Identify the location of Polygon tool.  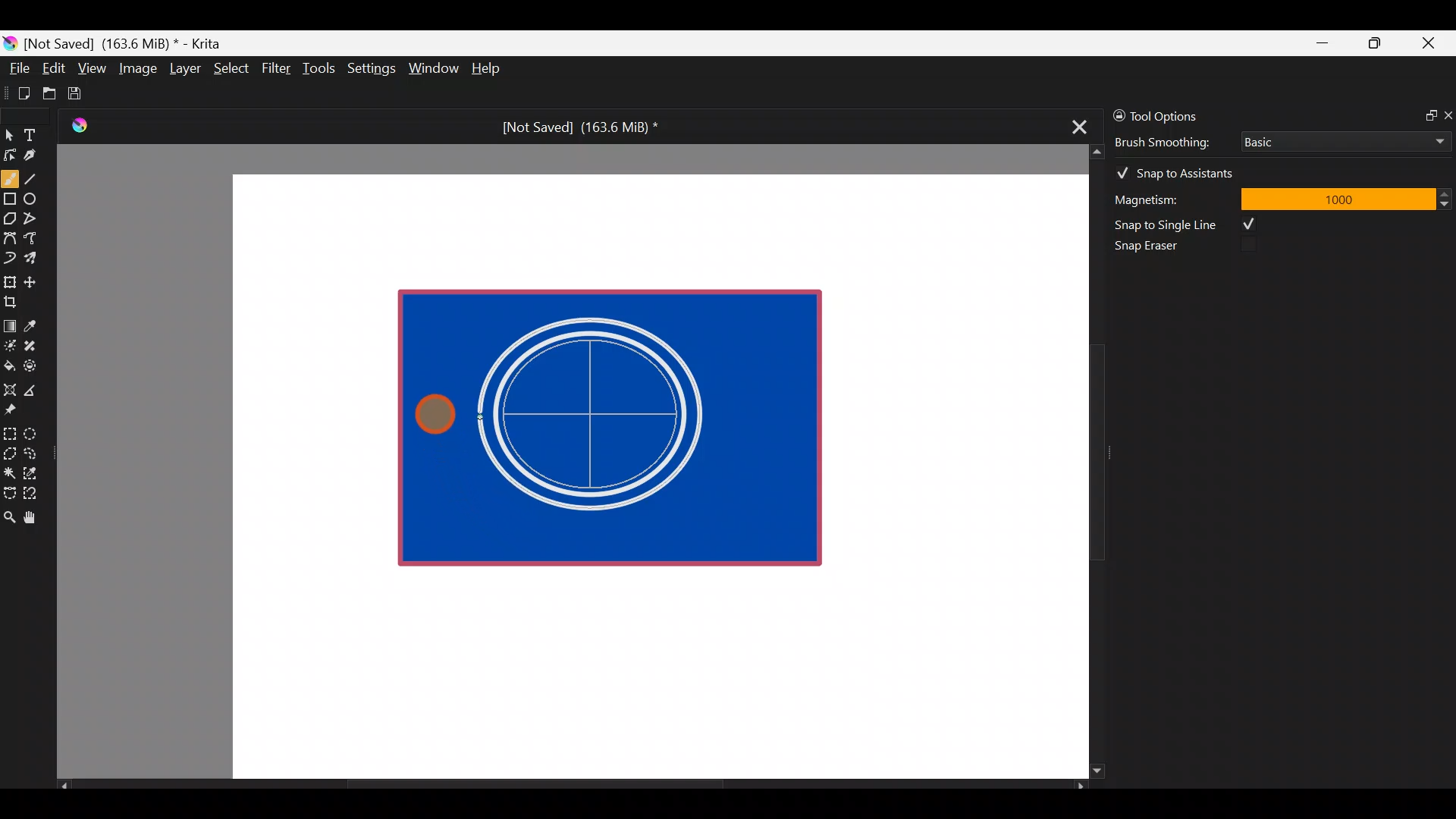
(9, 219).